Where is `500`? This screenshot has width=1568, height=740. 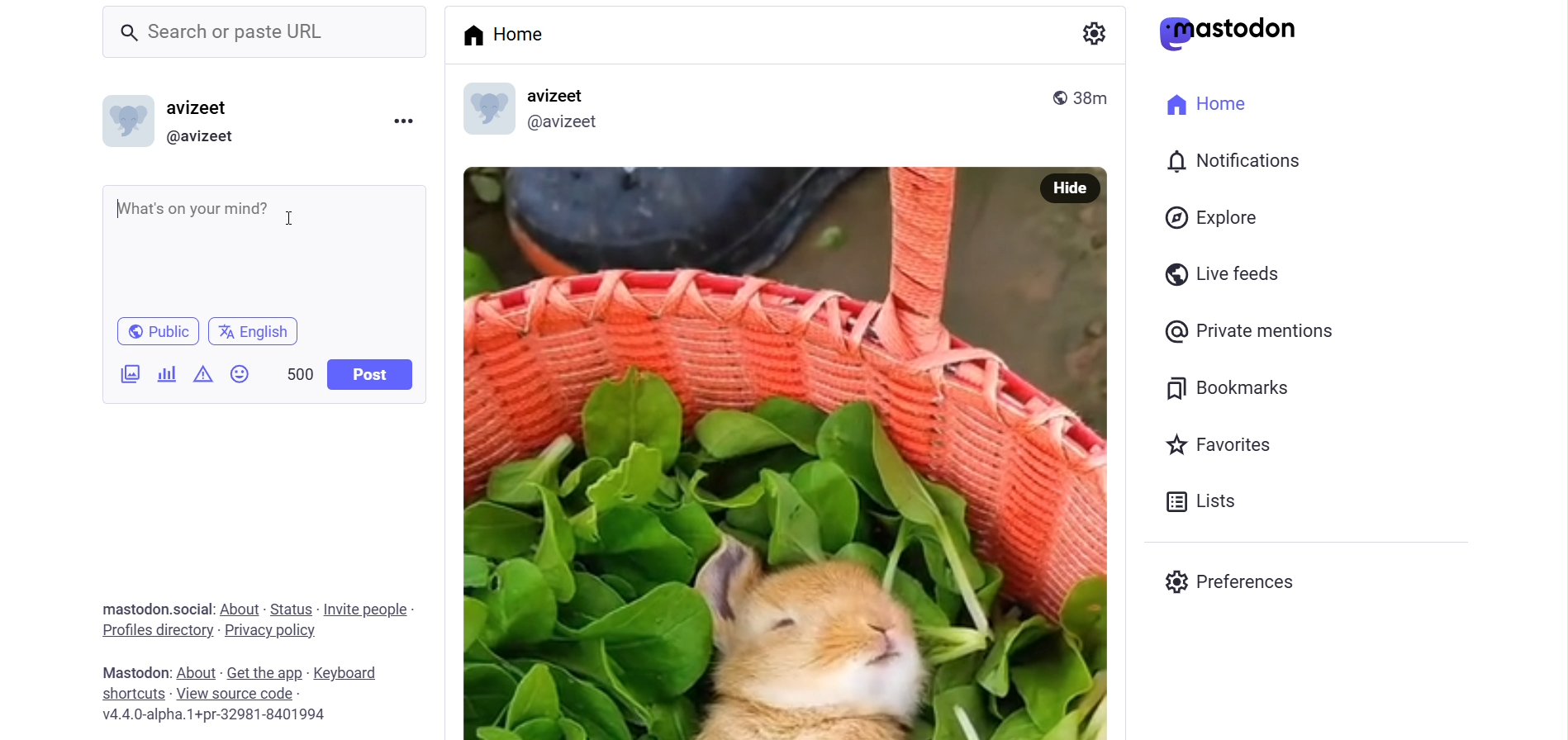
500 is located at coordinates (294, 374).